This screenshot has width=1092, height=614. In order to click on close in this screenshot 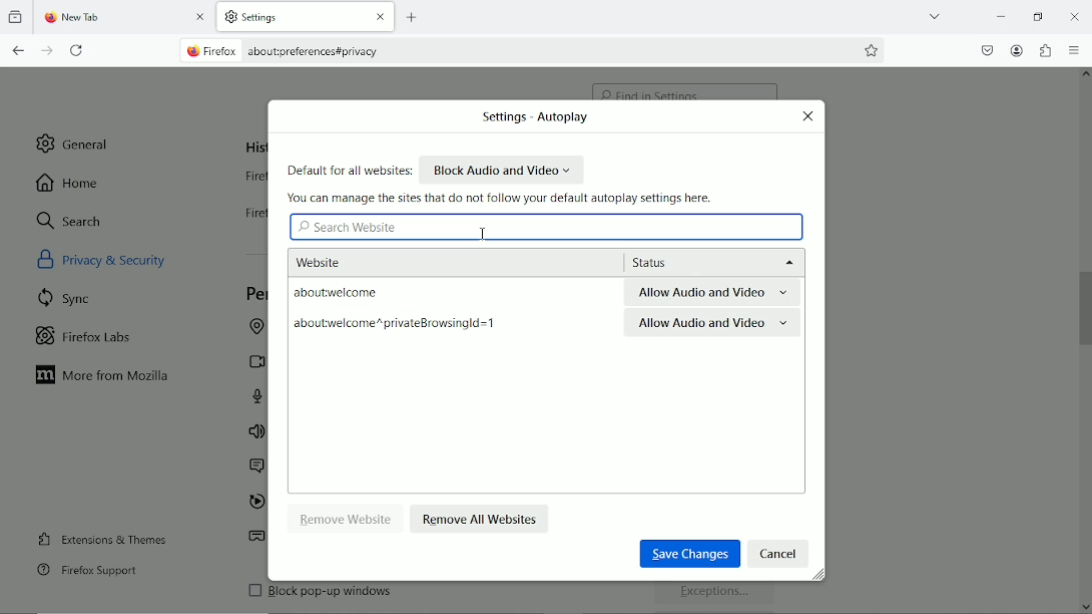, I will do `click(378, 18)`.